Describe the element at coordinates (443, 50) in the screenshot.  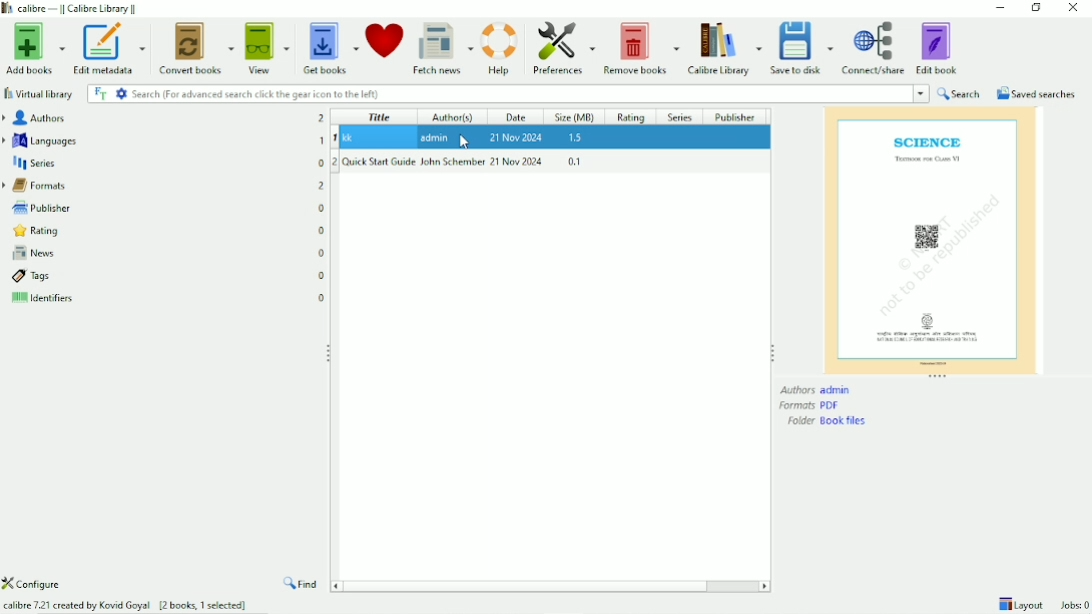
I see `Fetch news` at that location.